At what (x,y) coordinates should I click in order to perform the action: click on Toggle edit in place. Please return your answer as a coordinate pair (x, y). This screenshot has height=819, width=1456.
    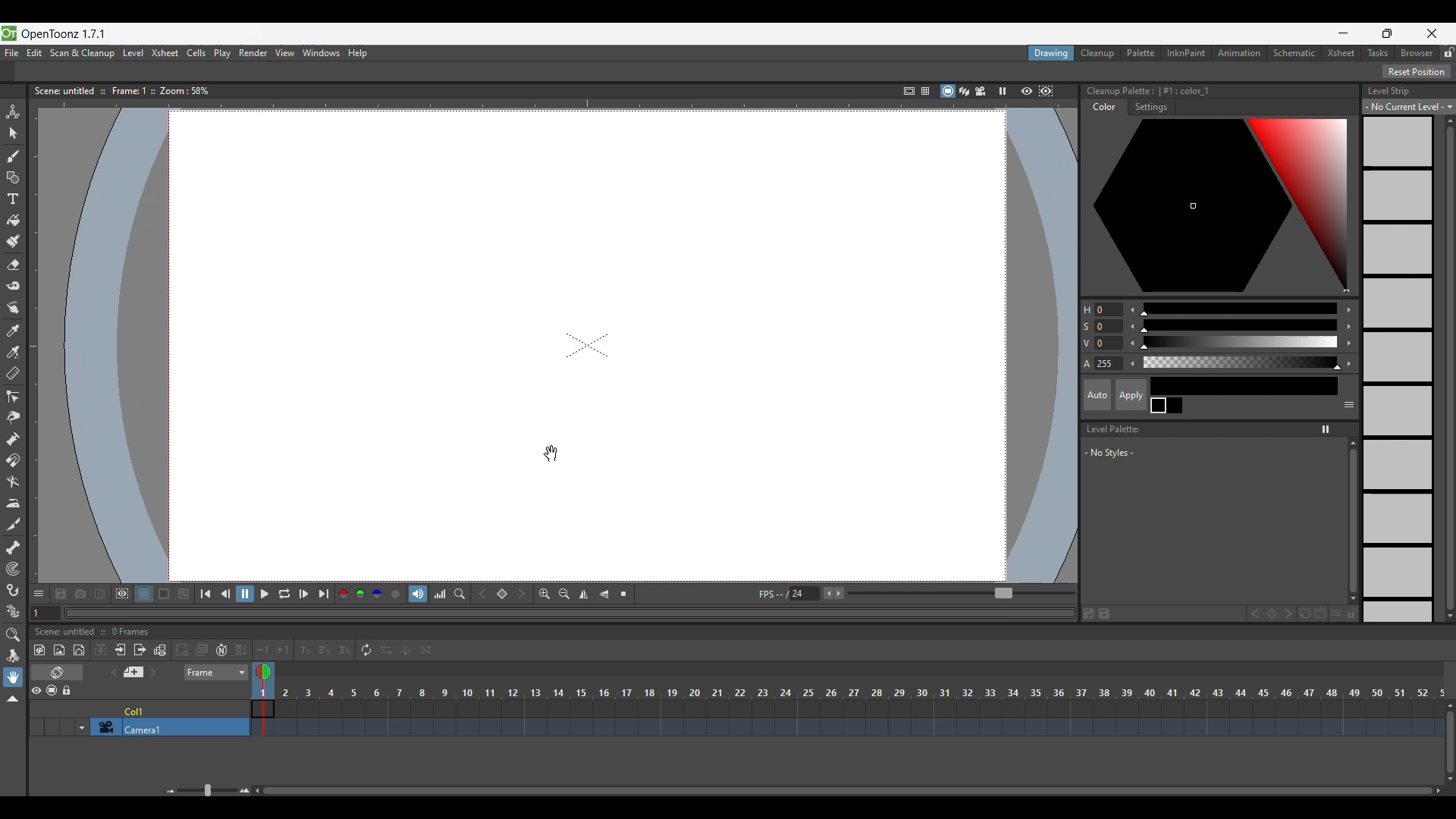
    Looking at the image, I should click on (160, 650).